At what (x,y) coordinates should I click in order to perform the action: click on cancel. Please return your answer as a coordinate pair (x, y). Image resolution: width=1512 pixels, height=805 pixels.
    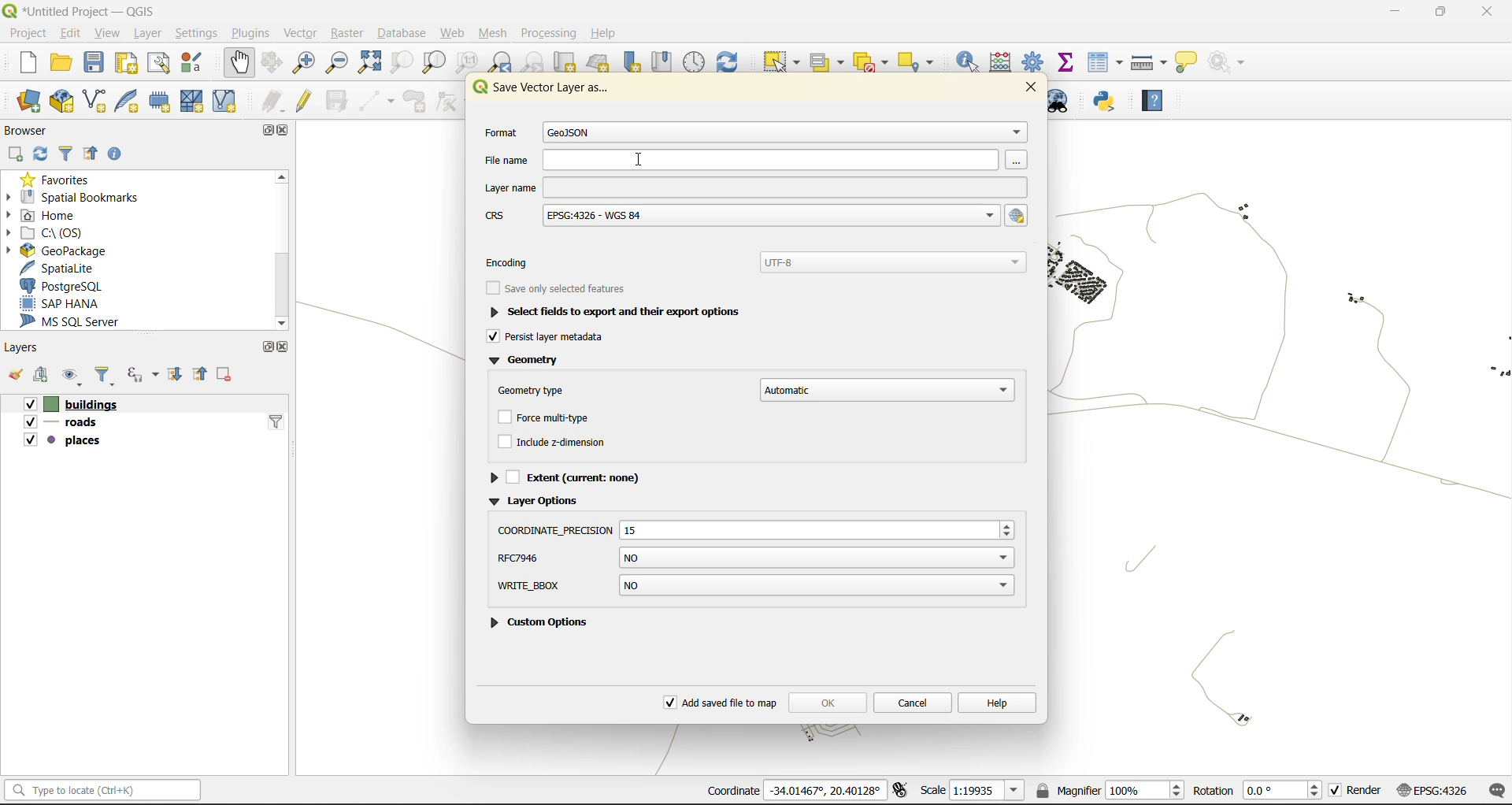
    Looking at the image, I should click on (912, 701).